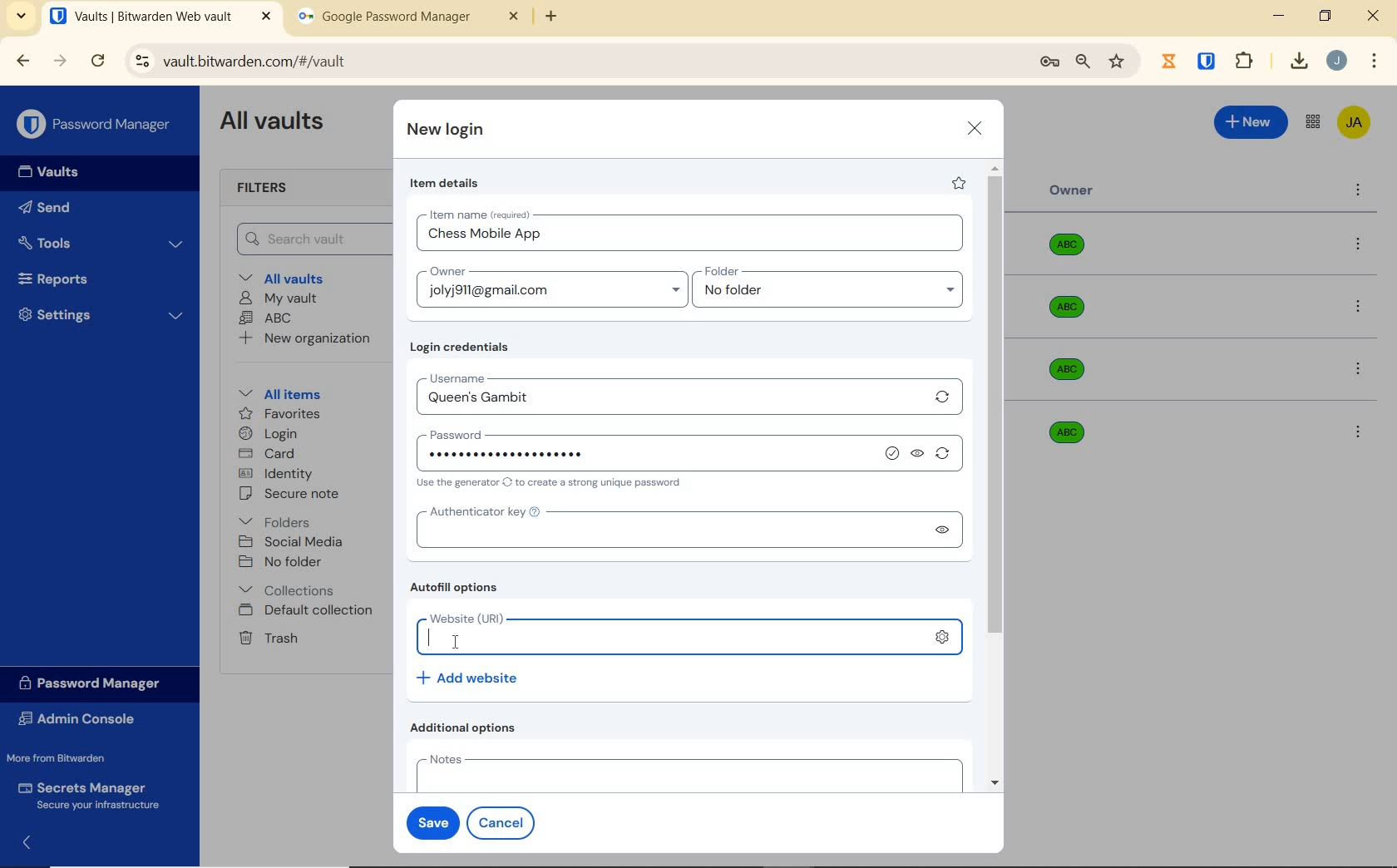 The height and width of the screenshot is (868, 1397). What do you see at coordinates (1070, 315) in the screenshot?
I see `Owner organization` at bounding box center [1070, 315].